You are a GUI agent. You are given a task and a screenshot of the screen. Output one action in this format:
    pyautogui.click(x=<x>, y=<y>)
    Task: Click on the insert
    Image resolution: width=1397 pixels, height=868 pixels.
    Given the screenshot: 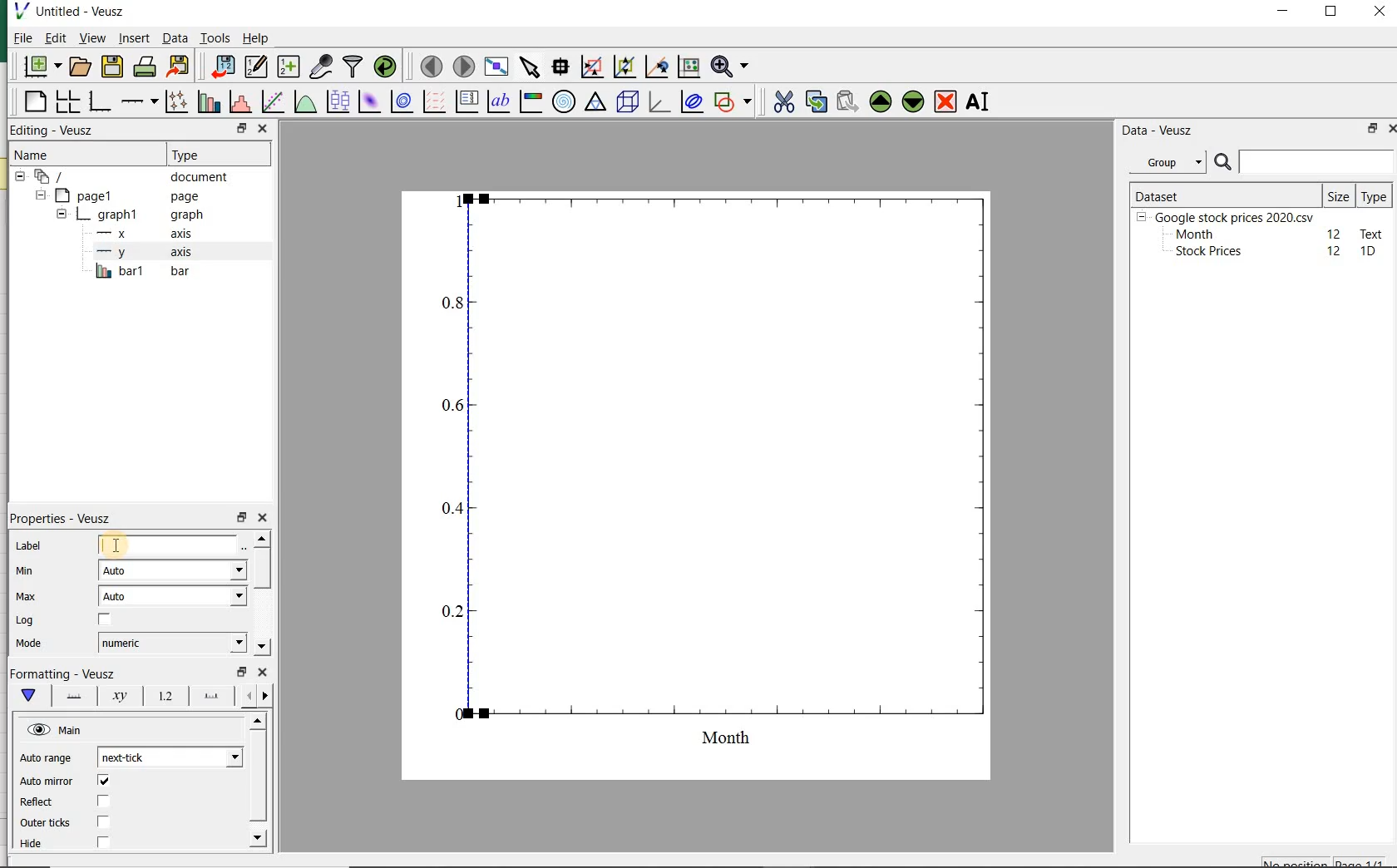 What is the action you would take?
    pyautogui.click(x=134, y=39)
    